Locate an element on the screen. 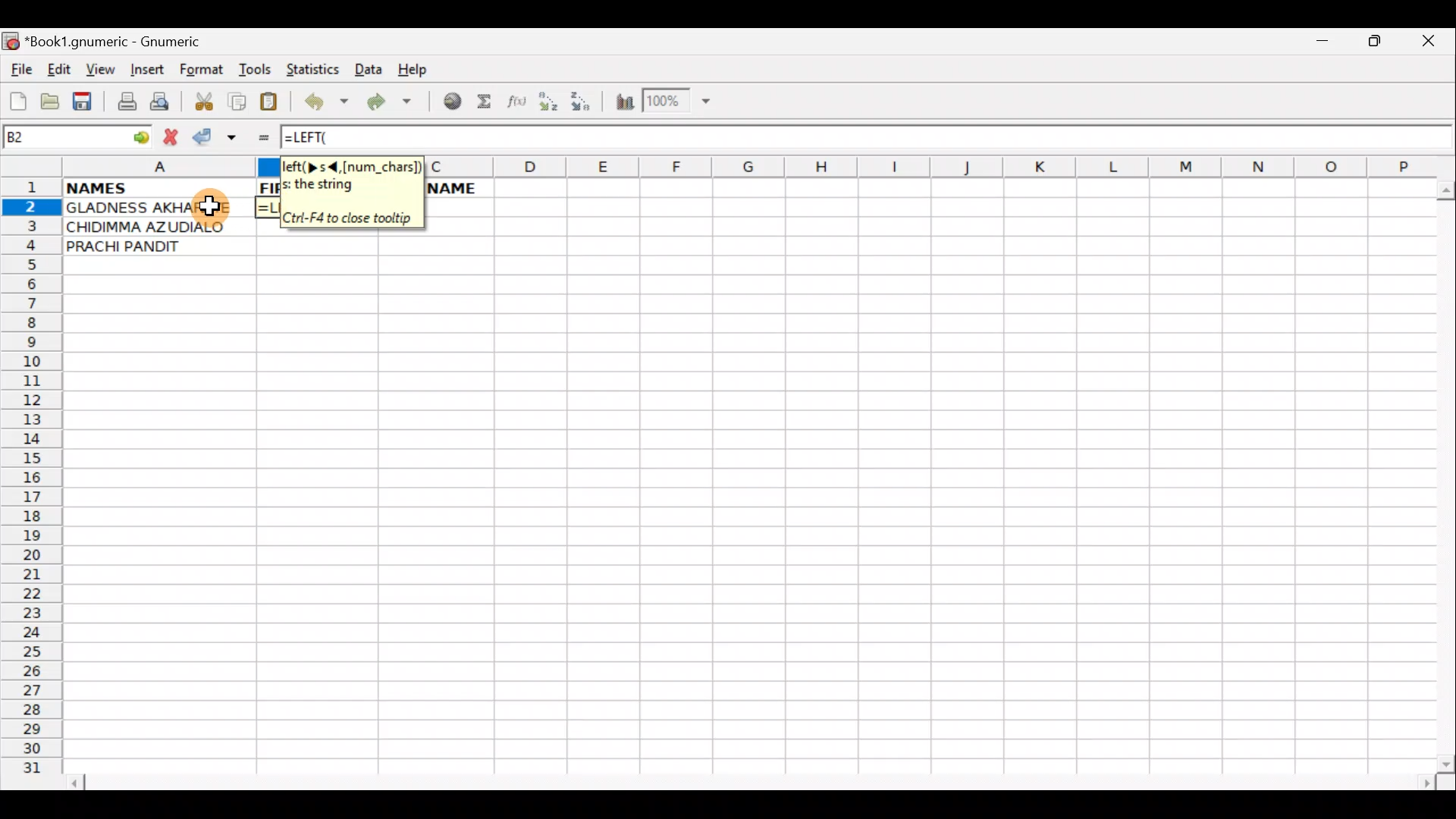 This screenshot has width=1456, height=819. View is located at coordinates (100, 69).